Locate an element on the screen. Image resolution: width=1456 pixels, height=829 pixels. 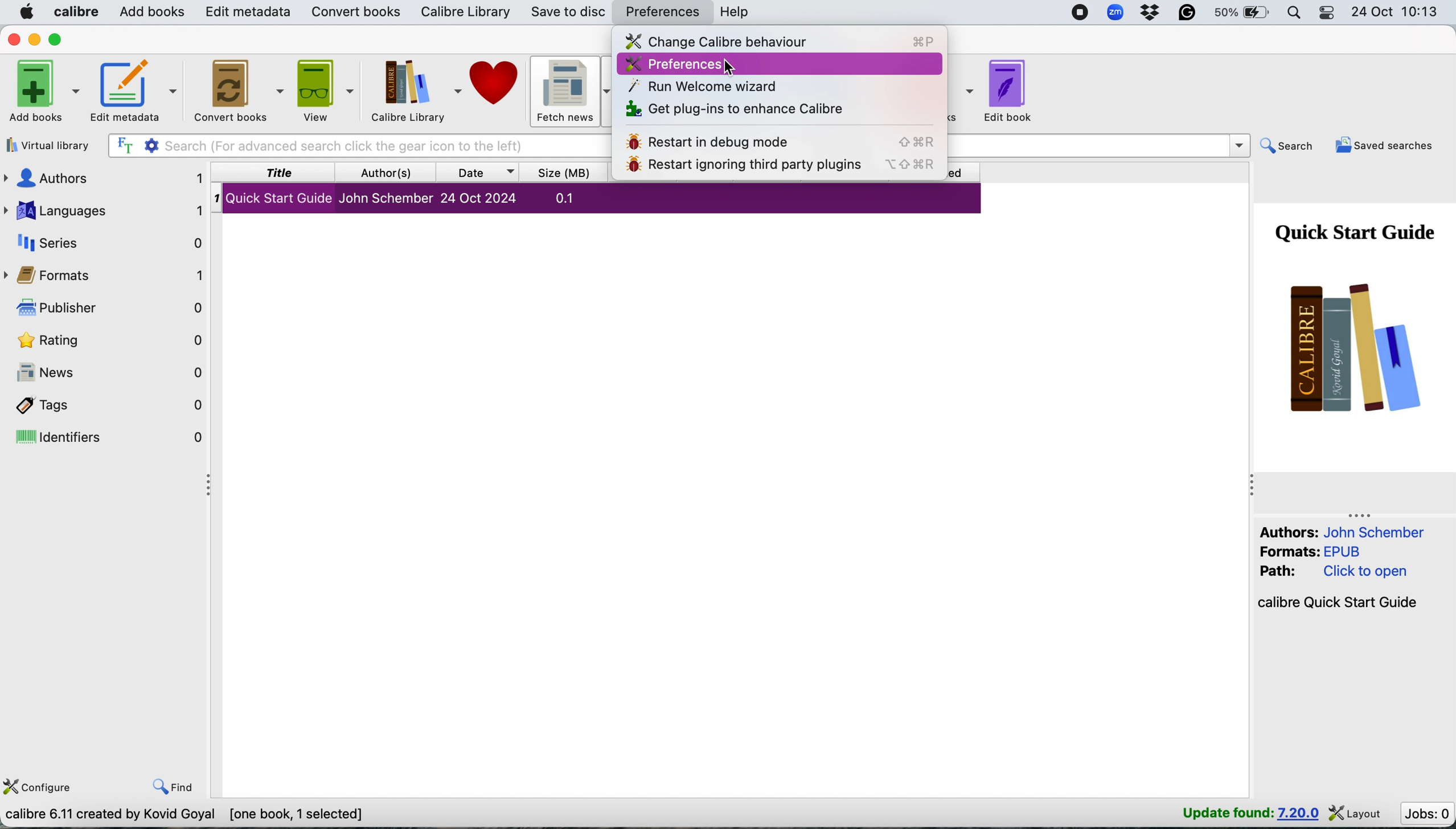
update found : 7.20.0 is located at coordinates (1245, 815).